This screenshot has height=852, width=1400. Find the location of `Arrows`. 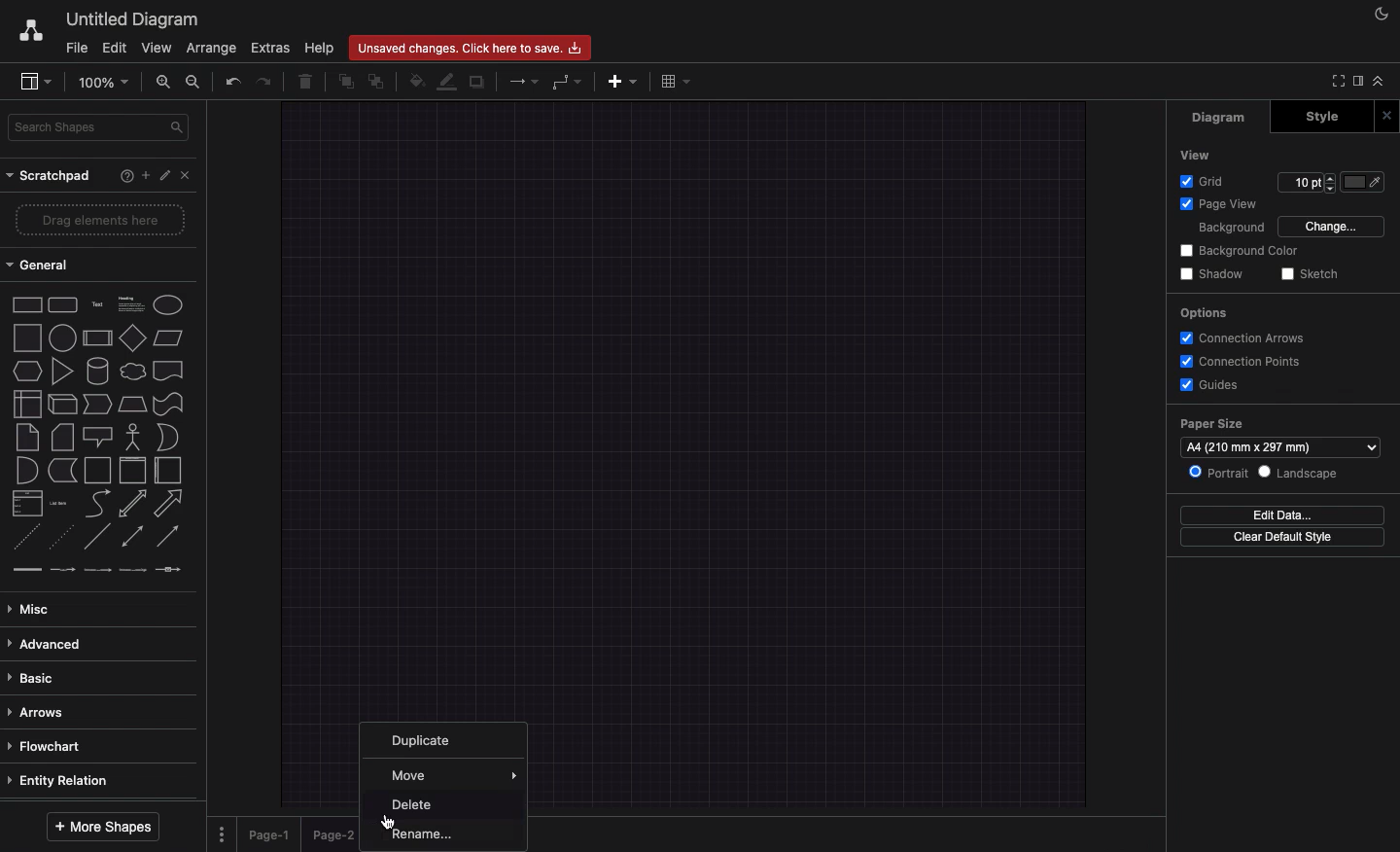

Arrows is located at coordinates (37, 711).